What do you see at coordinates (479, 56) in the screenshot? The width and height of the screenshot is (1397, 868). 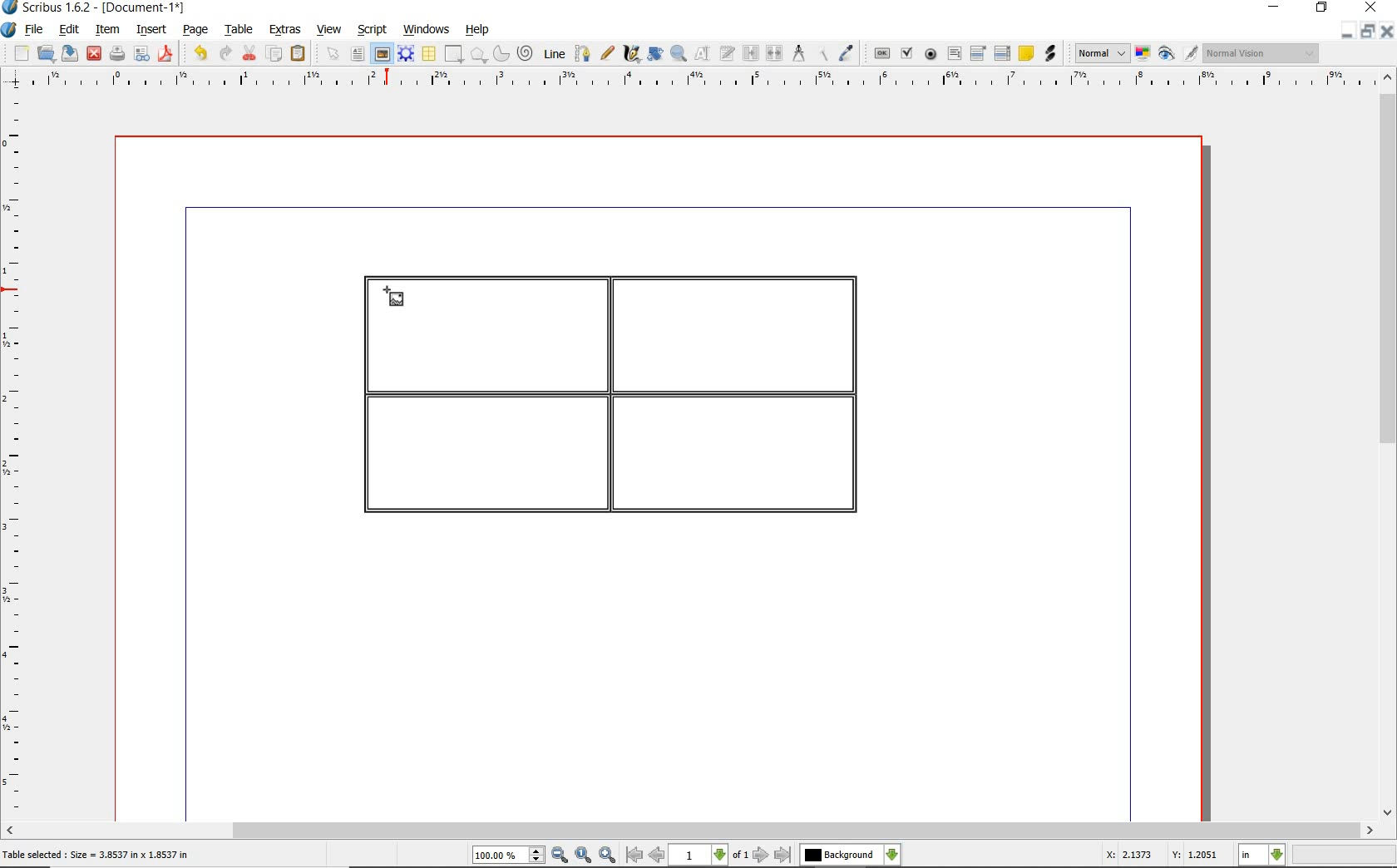 I see `shape` at bounding box center [479, 56].